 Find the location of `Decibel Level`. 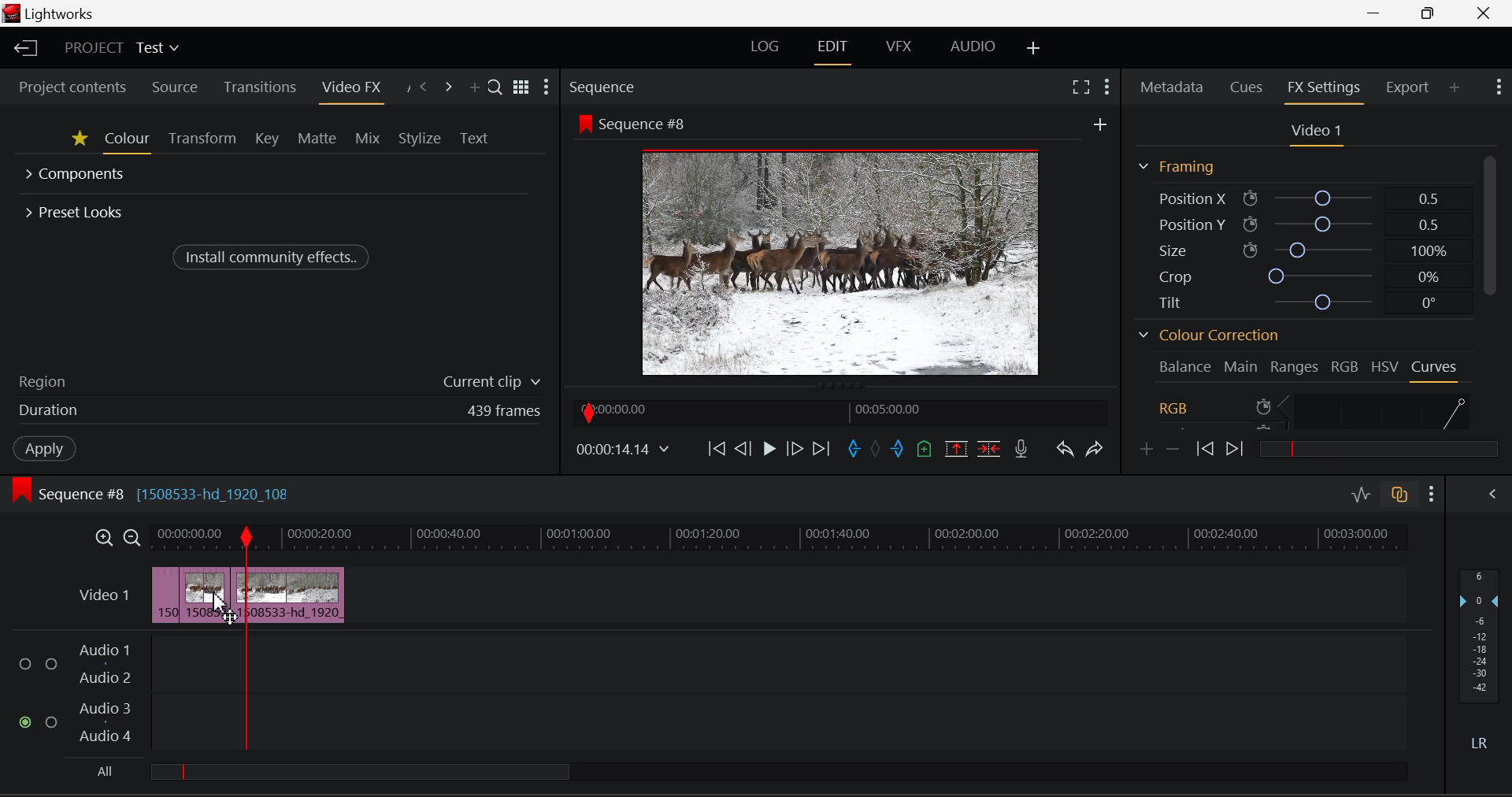

Decibel Level is located at coordinates (1478, 656).